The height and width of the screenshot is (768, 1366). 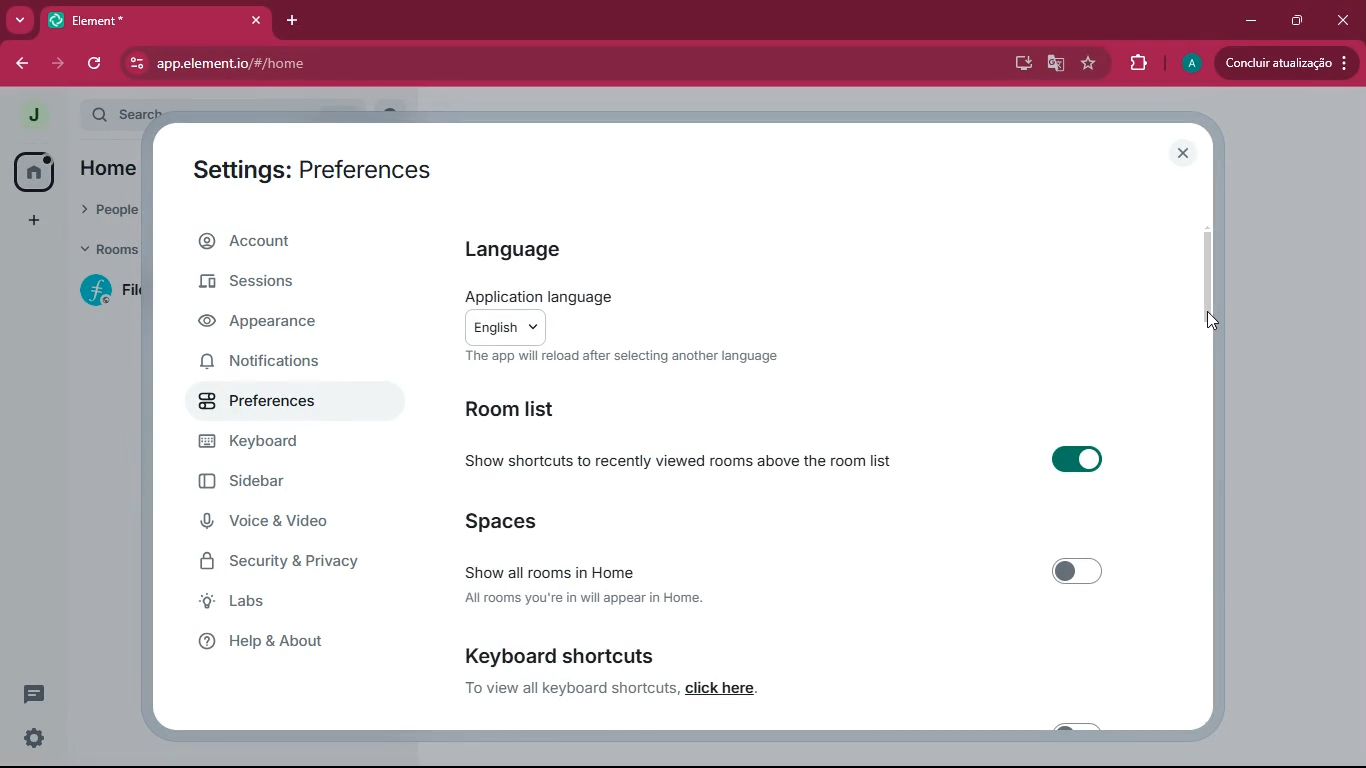 I want to click on language, so click(x=529, y=247).